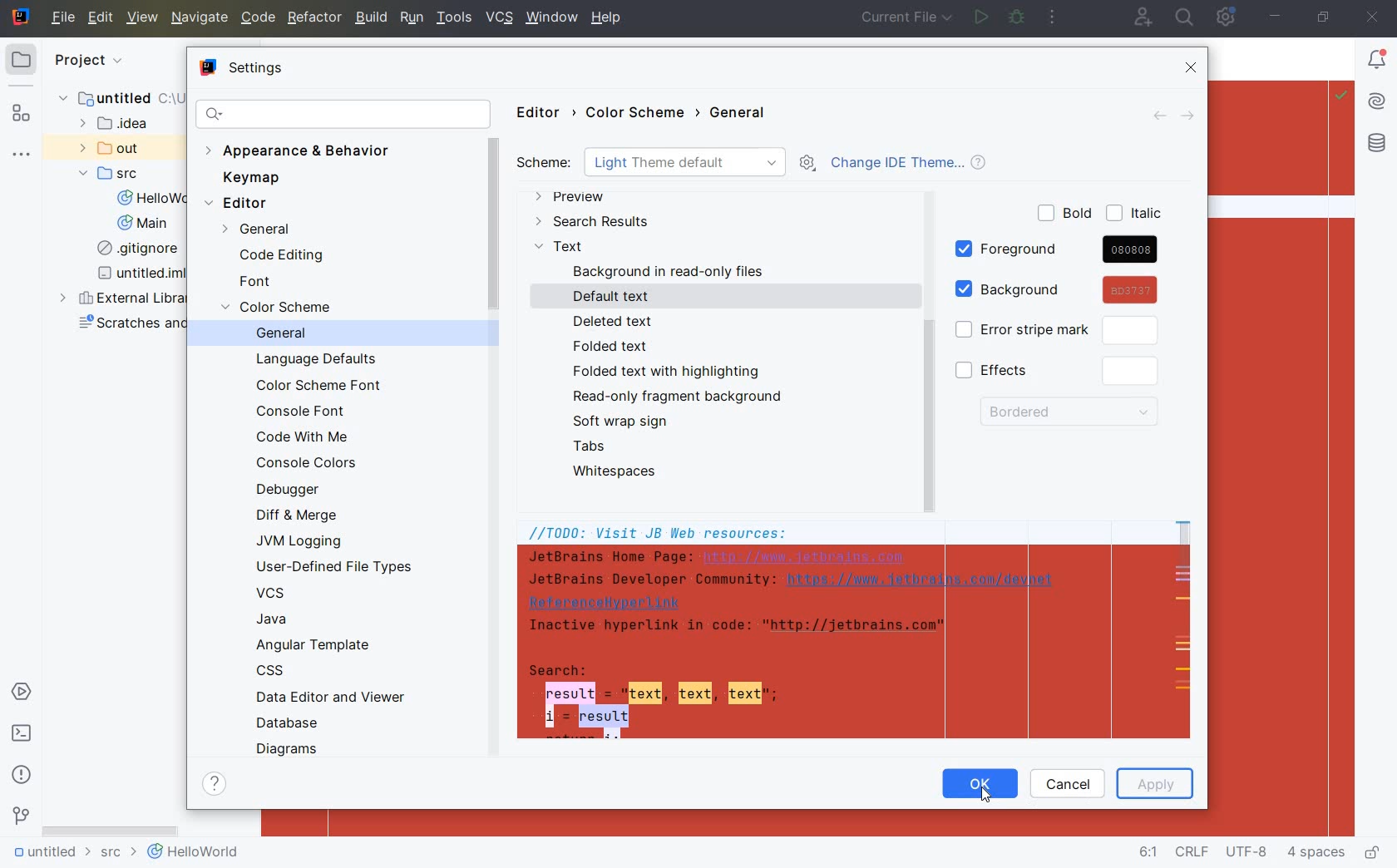 The width and height of the screenshot is (1397, 868). Describe the element at coordinates (1325, 18) in the screenshot. I see `restore down` at that location.